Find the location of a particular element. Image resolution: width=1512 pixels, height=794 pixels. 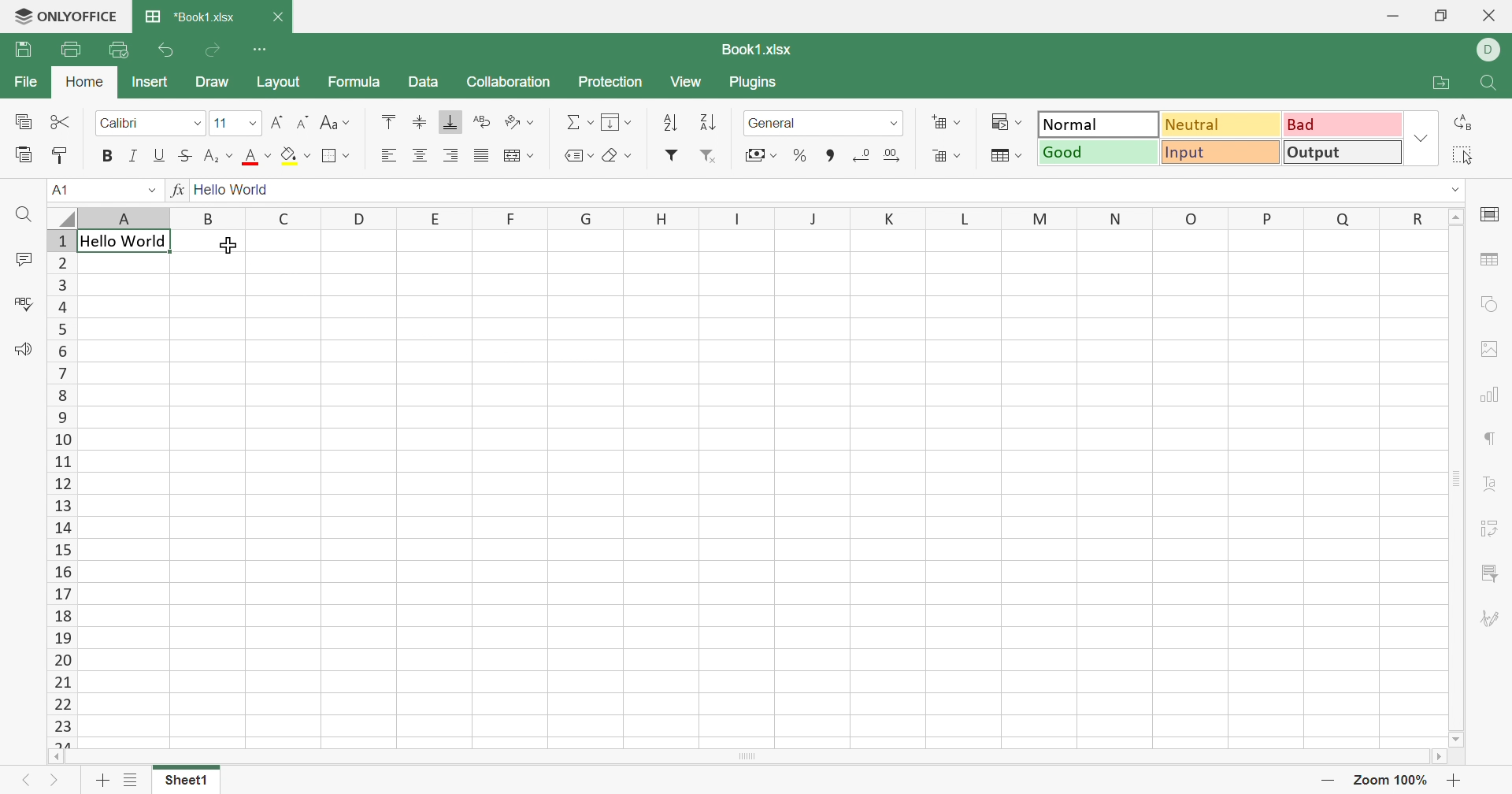

Align bottom is located at coordinates (451, 121).